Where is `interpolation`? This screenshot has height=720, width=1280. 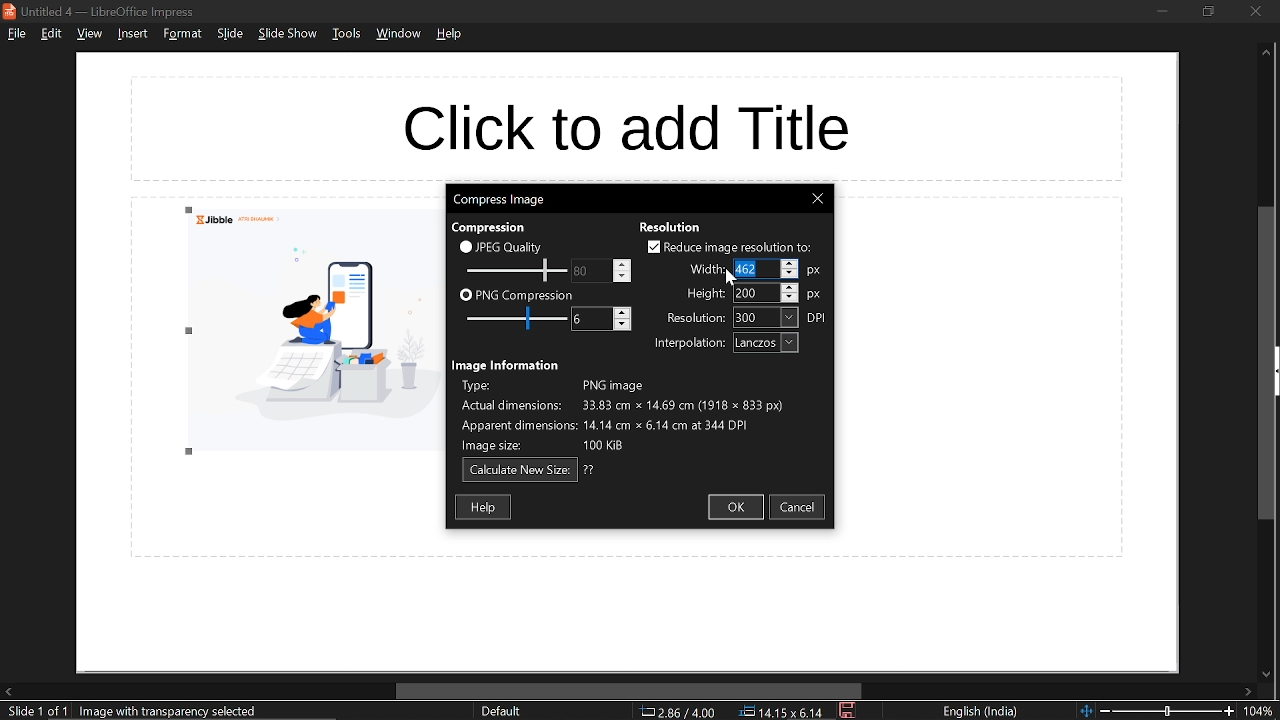
interpolation is located at coordinates (766, 343).